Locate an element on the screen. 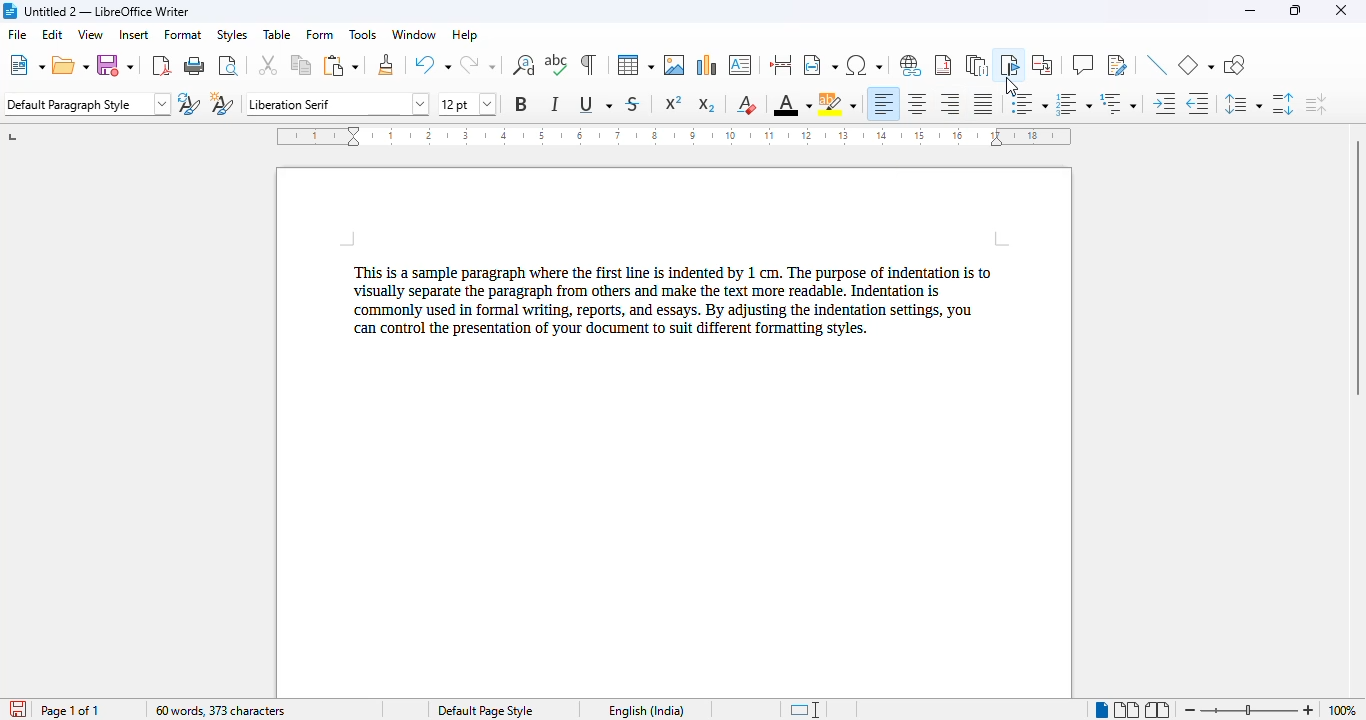 Image resolution: width=1366 pixels, height=720 pixels. ruler is located at coordinates (674, 136).